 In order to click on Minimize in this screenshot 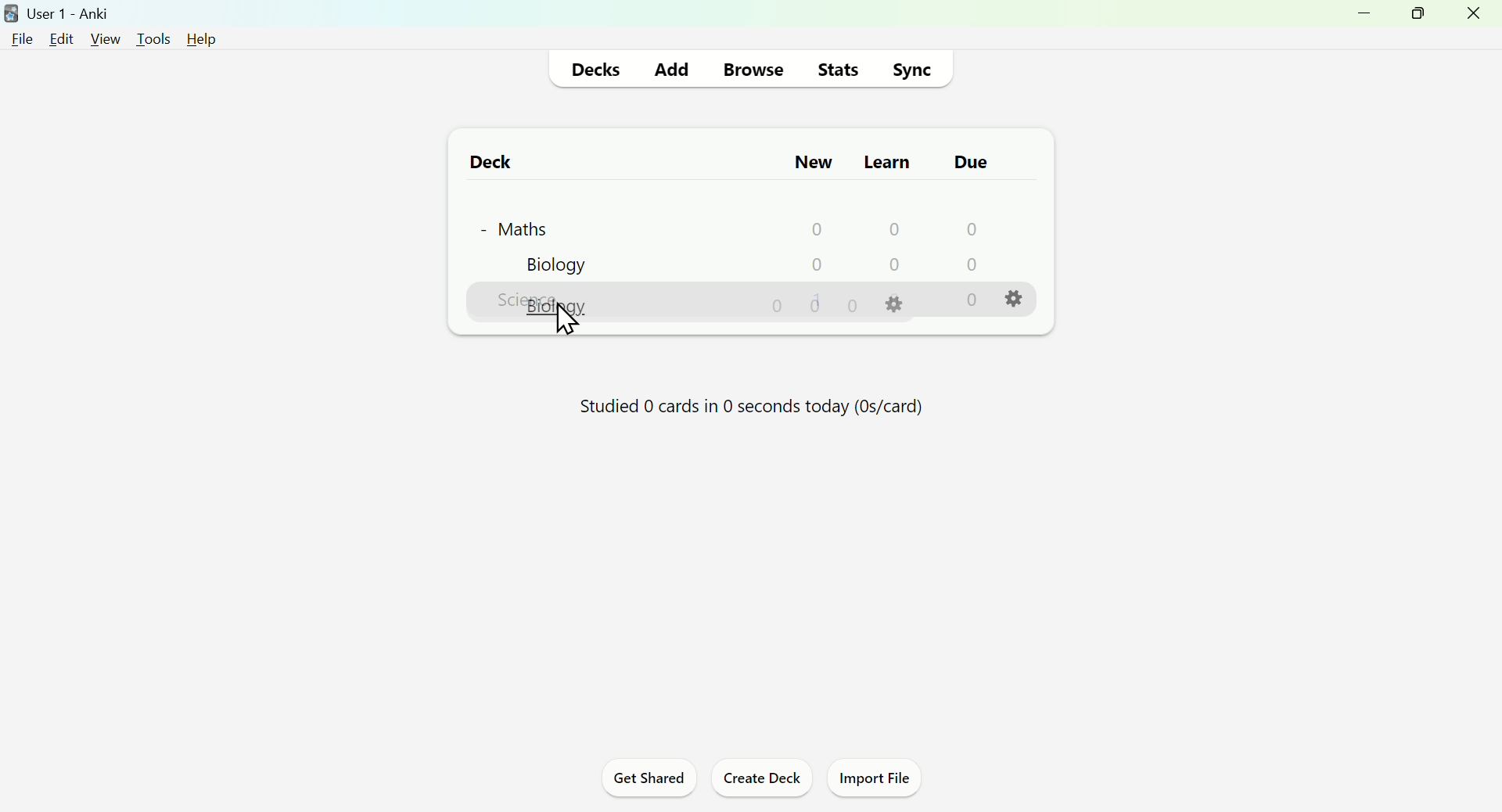, I will do `click(1359, 20)`.